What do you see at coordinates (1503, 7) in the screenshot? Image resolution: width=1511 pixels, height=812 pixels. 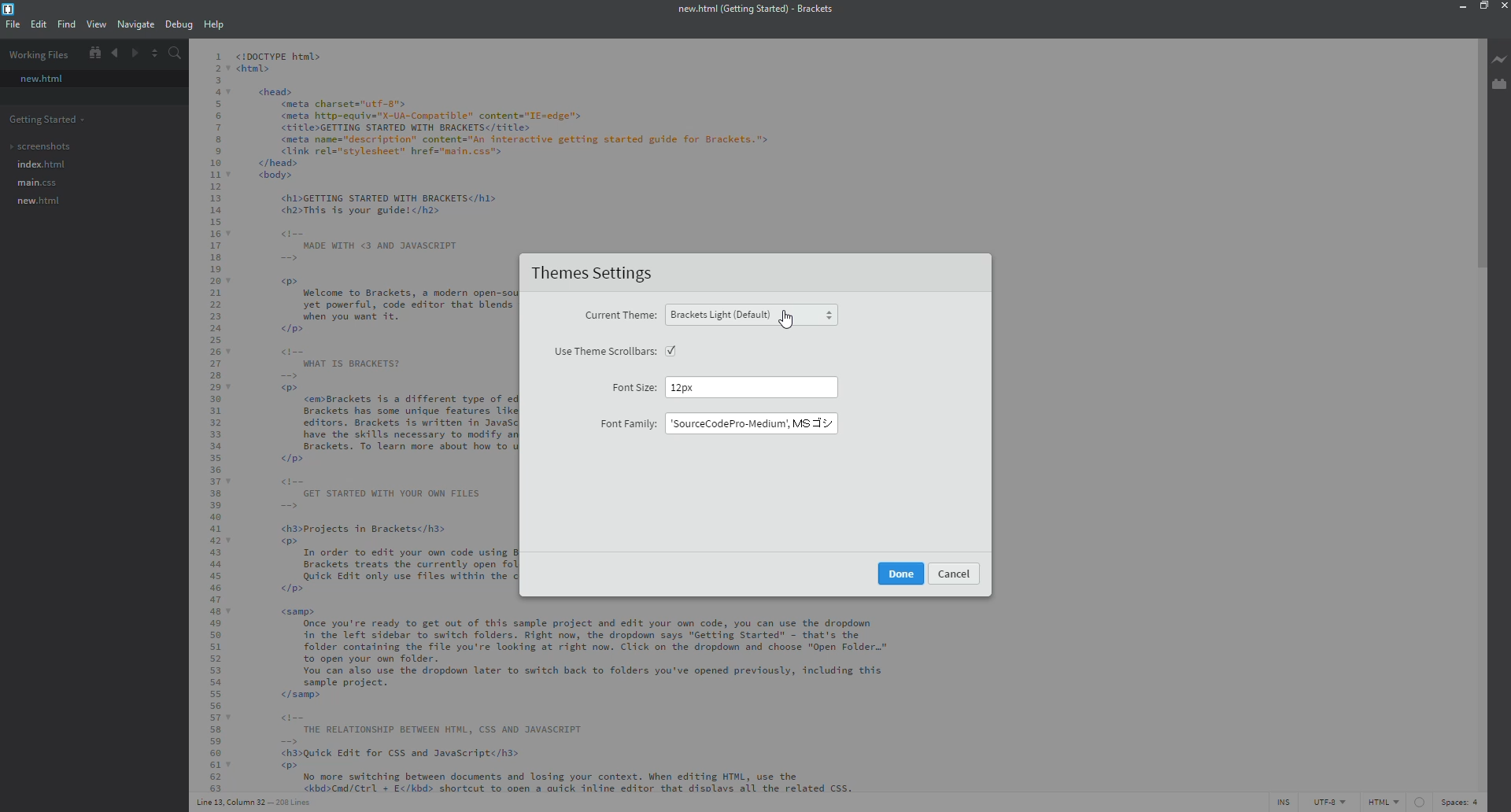 I see `close` at bounding box center [1503, 7].